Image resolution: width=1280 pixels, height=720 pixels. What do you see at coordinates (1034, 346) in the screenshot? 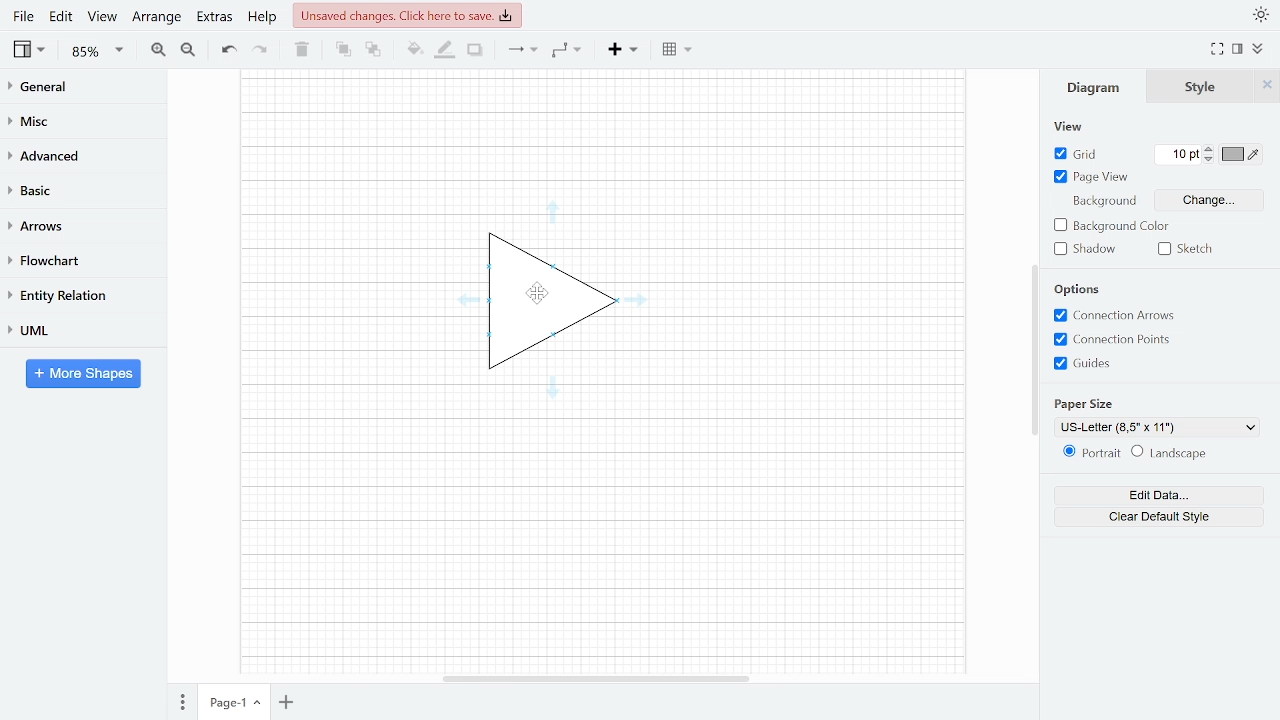
I see `Vertical scrollbar` at bounding box center [1034, 346].